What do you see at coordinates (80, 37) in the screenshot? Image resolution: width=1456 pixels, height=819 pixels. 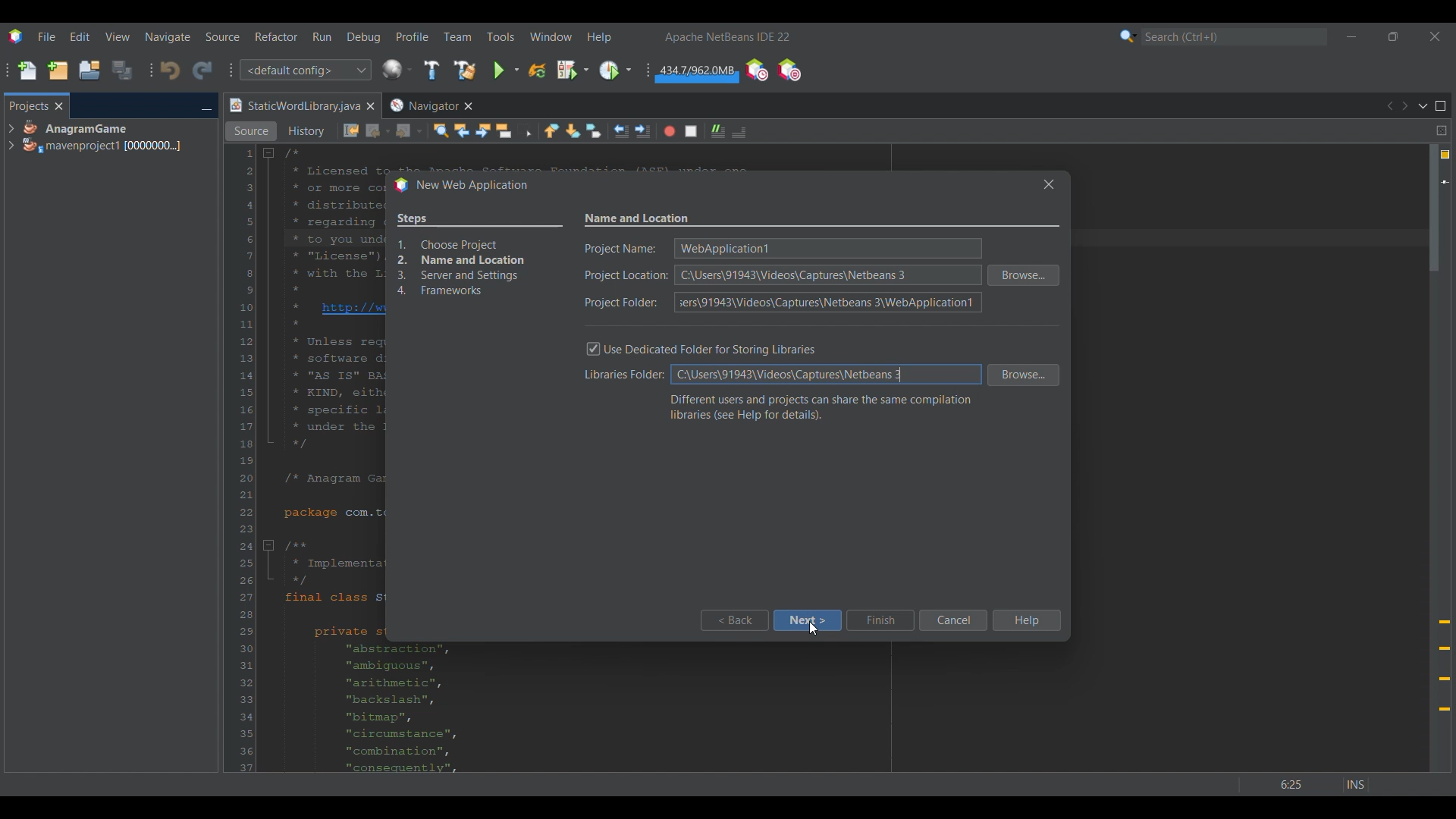 I see `Edit menu` at bounding box center [80, 37].